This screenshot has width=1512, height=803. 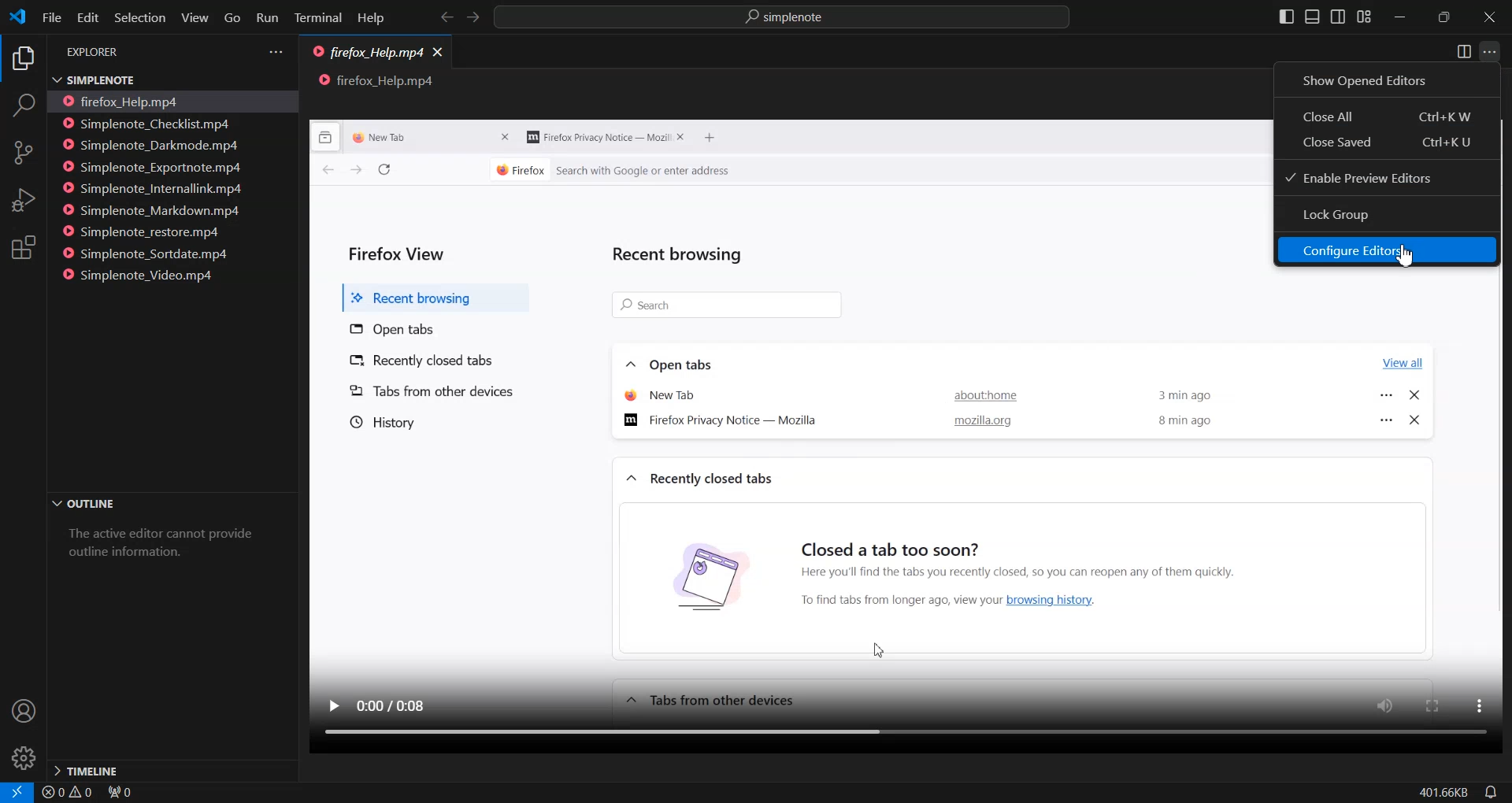 I want to click on Simplenote_Darkmode.mp4, so click(x=153, y=145).